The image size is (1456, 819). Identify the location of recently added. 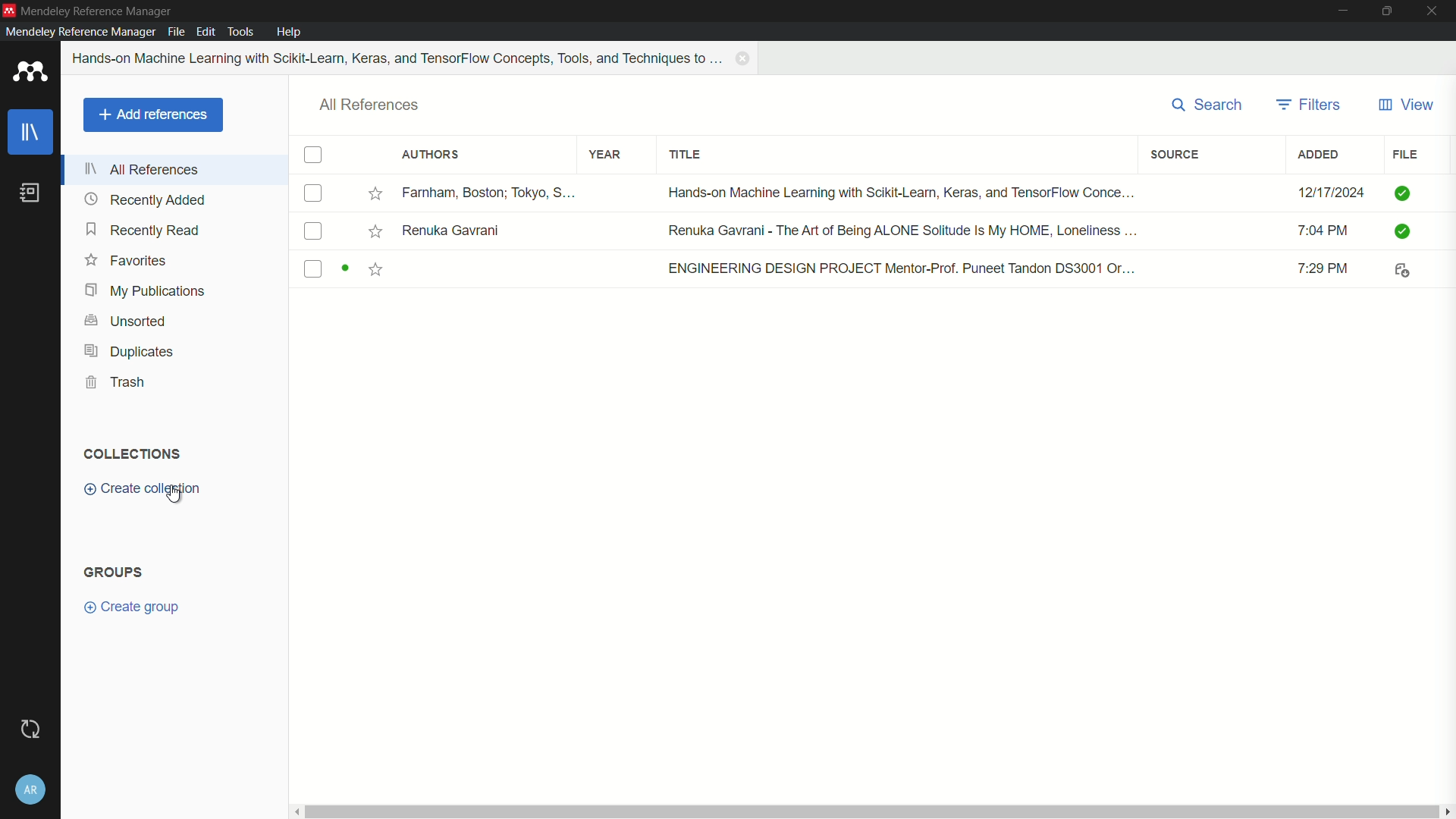
(145, 199).